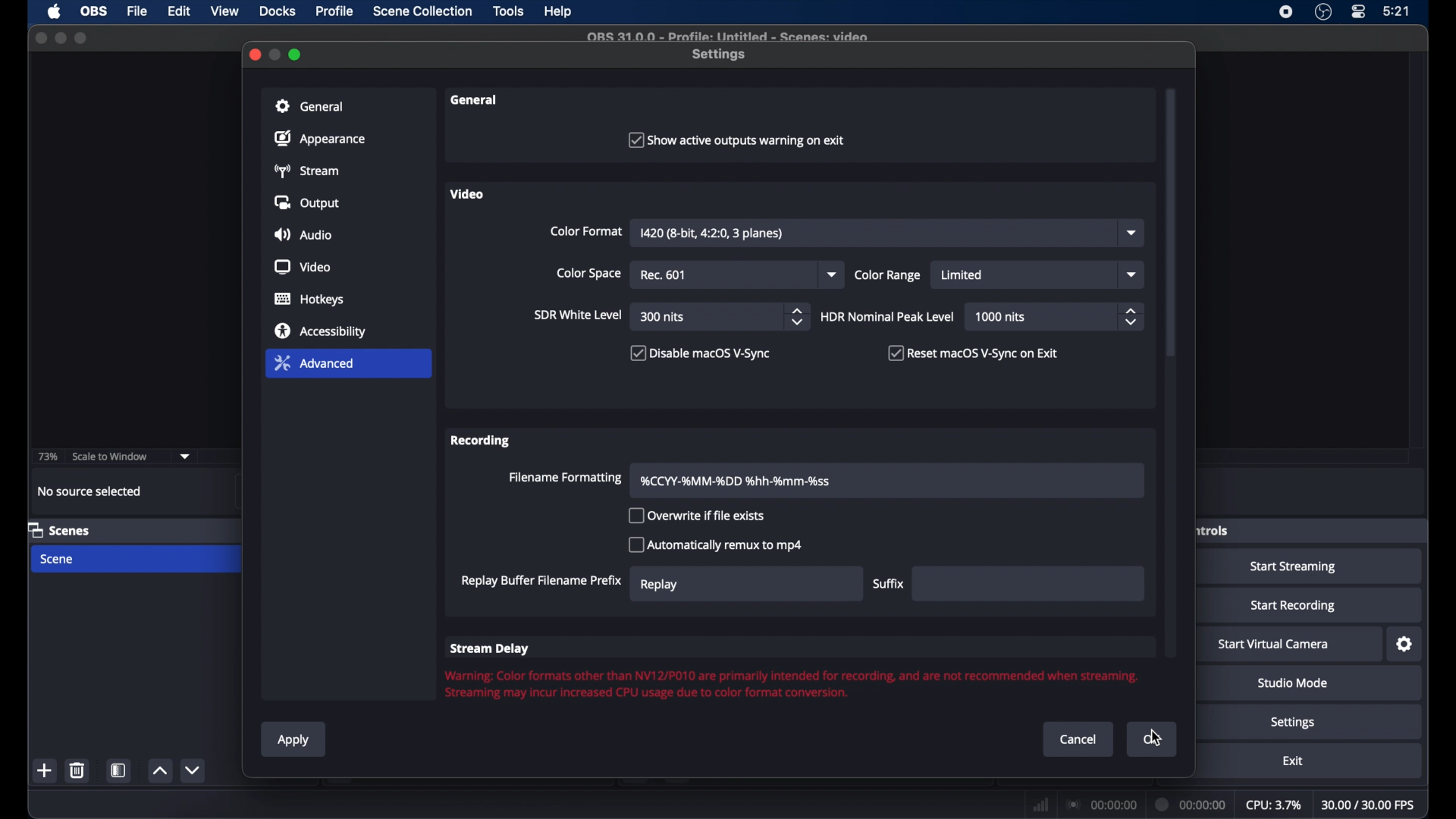 This screenshot has width=1456, height=819. I want to click on overwrite if file exists, so click(697, 515).